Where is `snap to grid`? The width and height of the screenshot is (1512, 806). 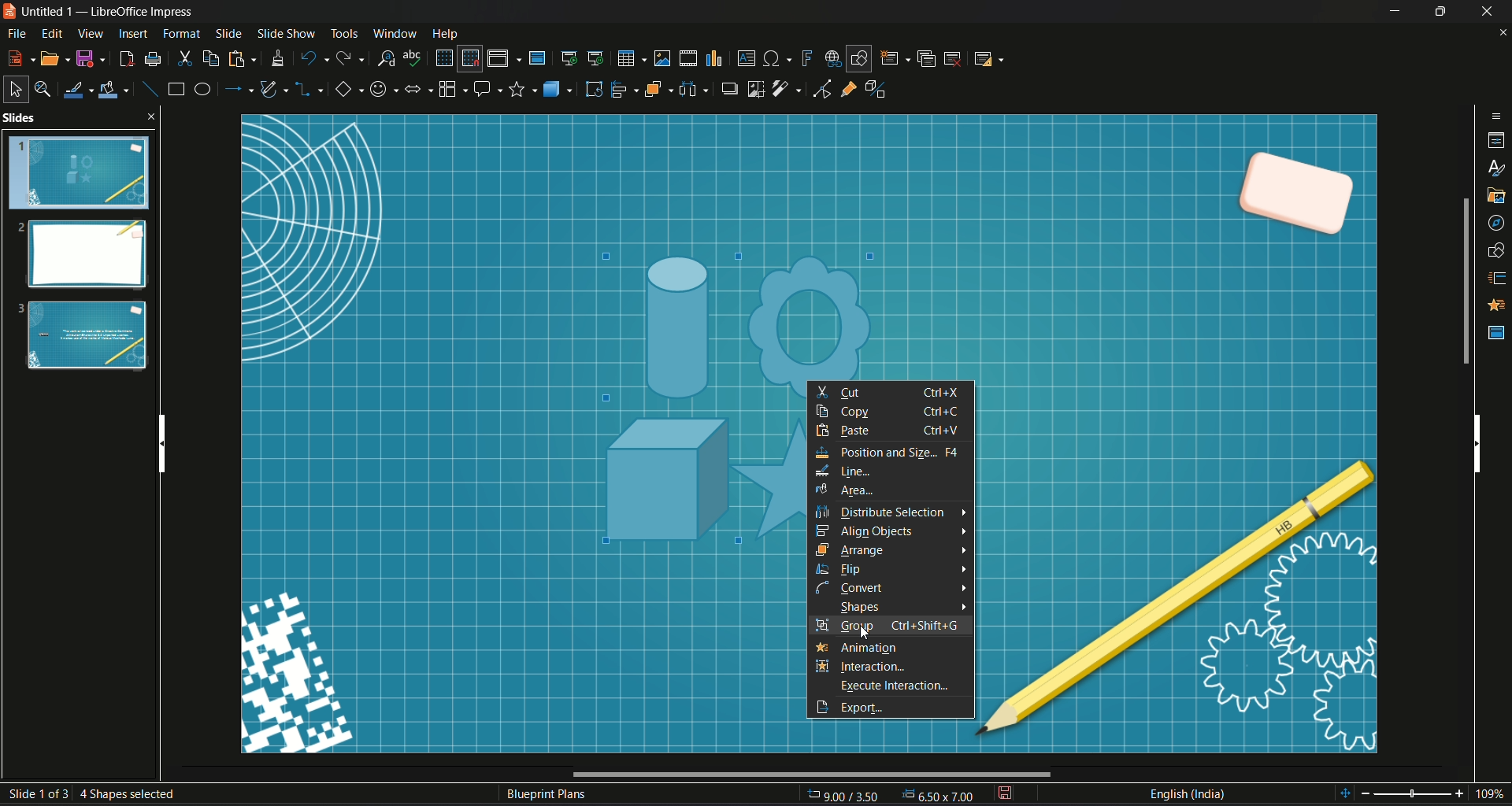 snap to grid is located at coordinates (469, 59).